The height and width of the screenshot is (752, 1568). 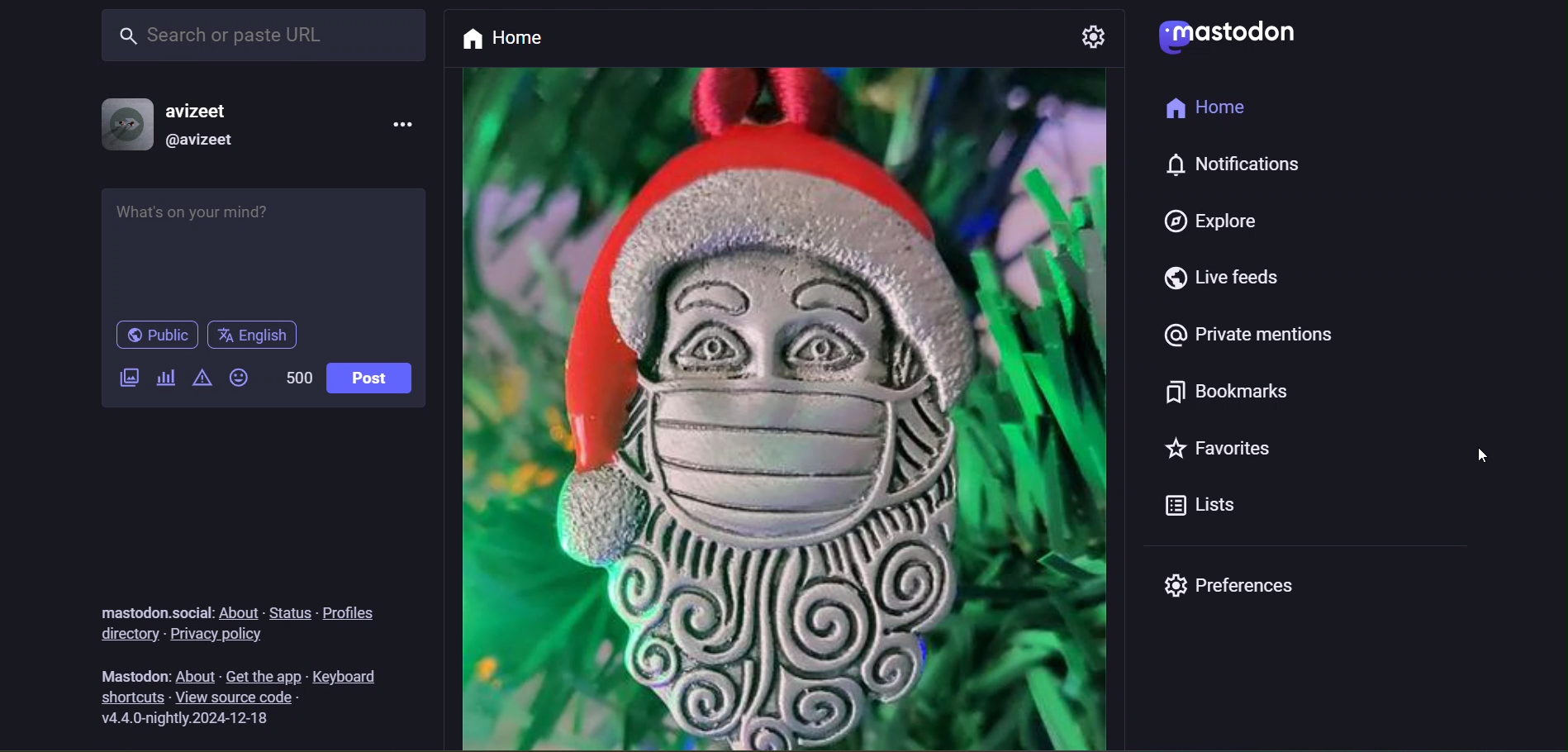 What do you see at coordinates (207, 112) in the screenshot?
I see `username` at bounding box center [207, 112].